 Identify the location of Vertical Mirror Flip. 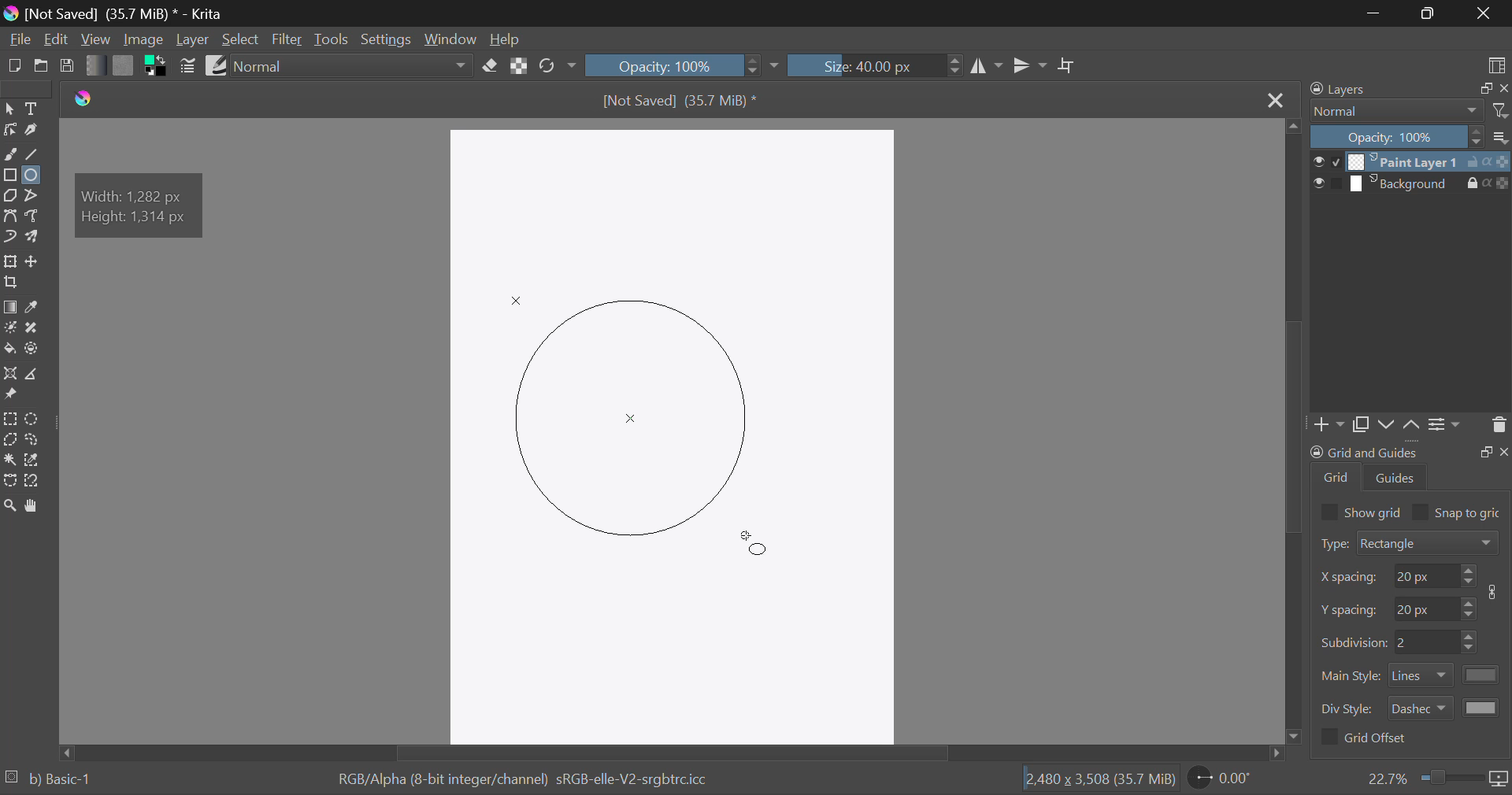
(988, 66).